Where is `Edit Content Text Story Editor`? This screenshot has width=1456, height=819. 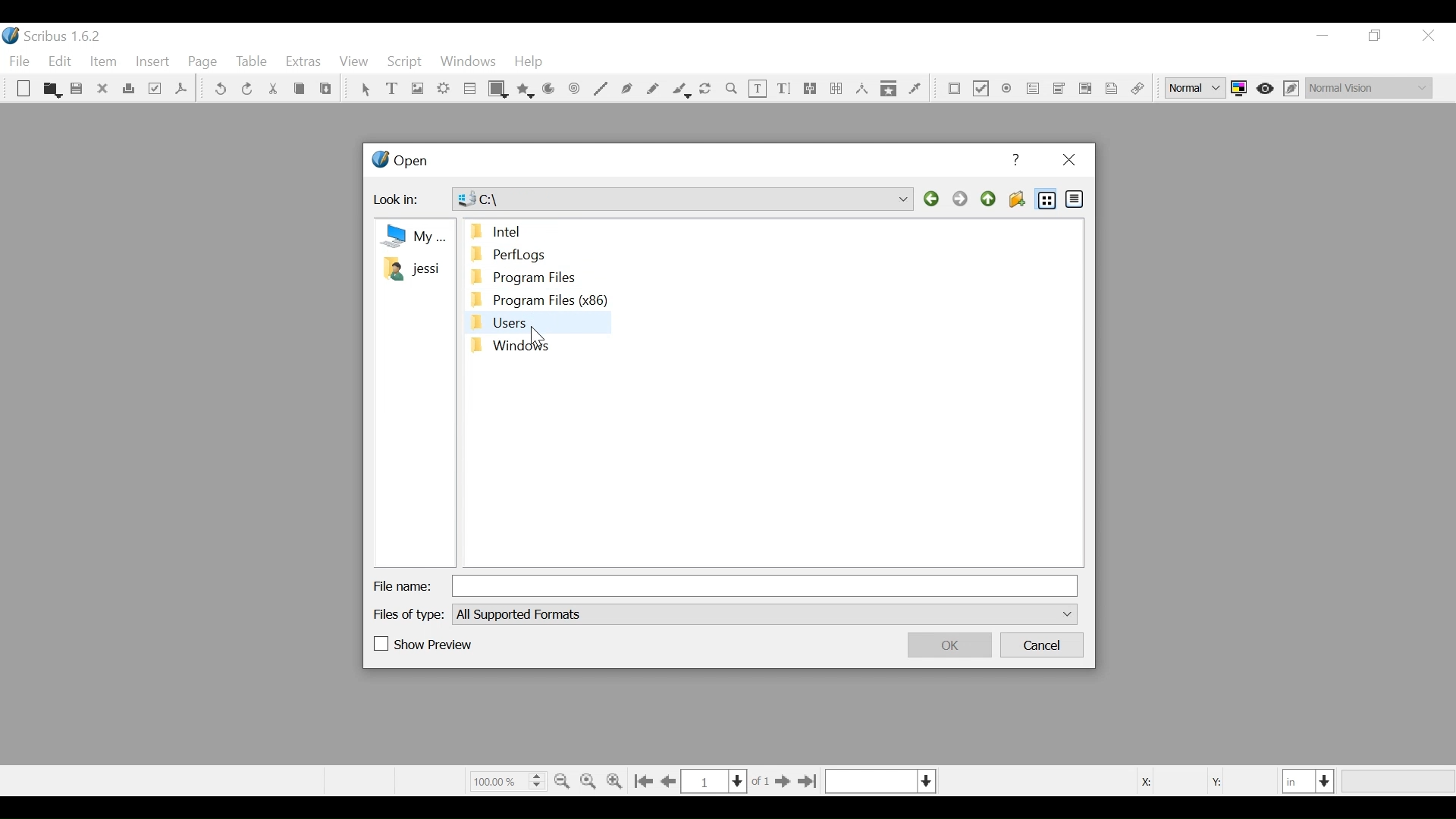 Edit Content Text Story Editor is located at coordinates (783, 89).